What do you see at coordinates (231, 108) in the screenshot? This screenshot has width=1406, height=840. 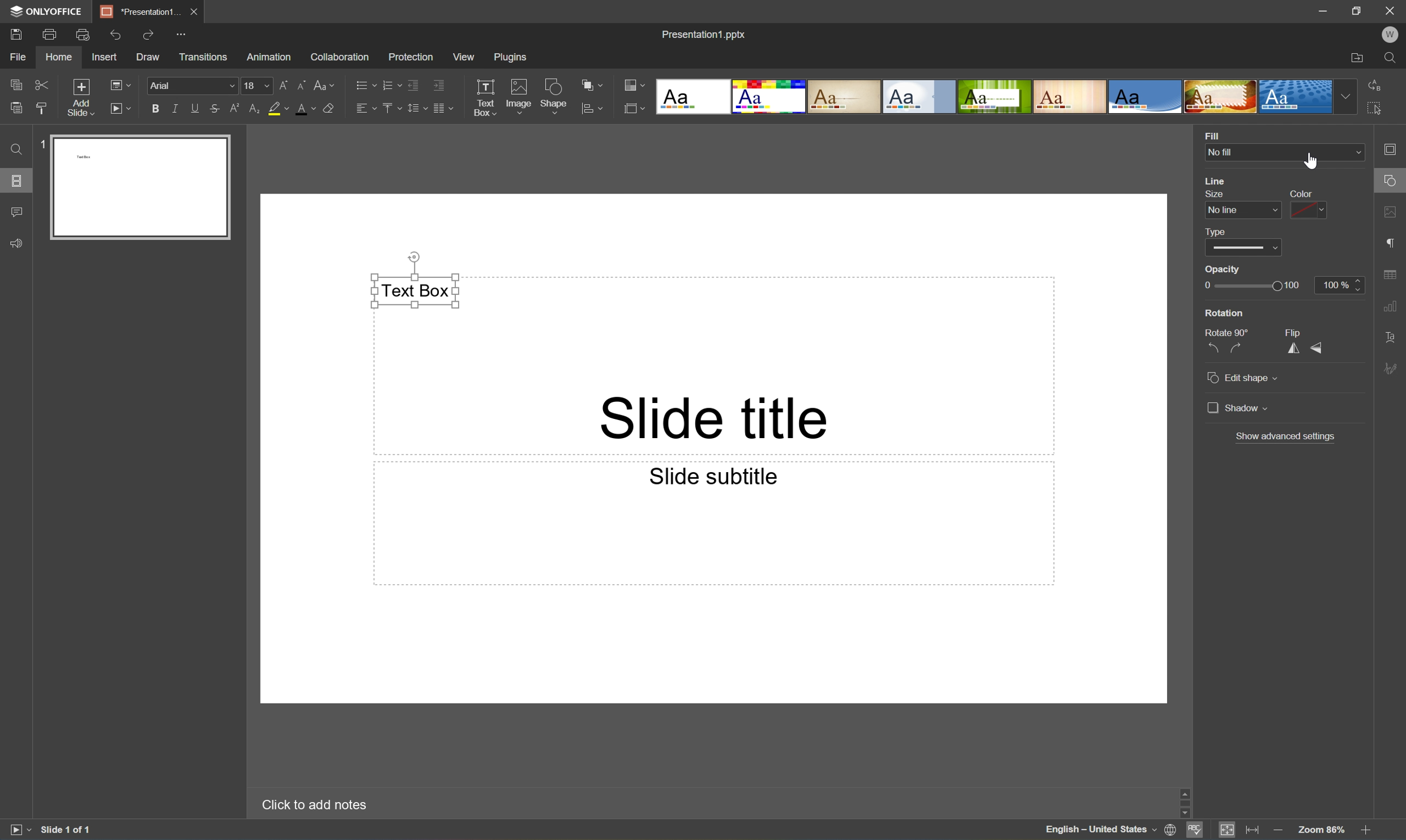 I see `Superscript` at bounding box center [231, 108].